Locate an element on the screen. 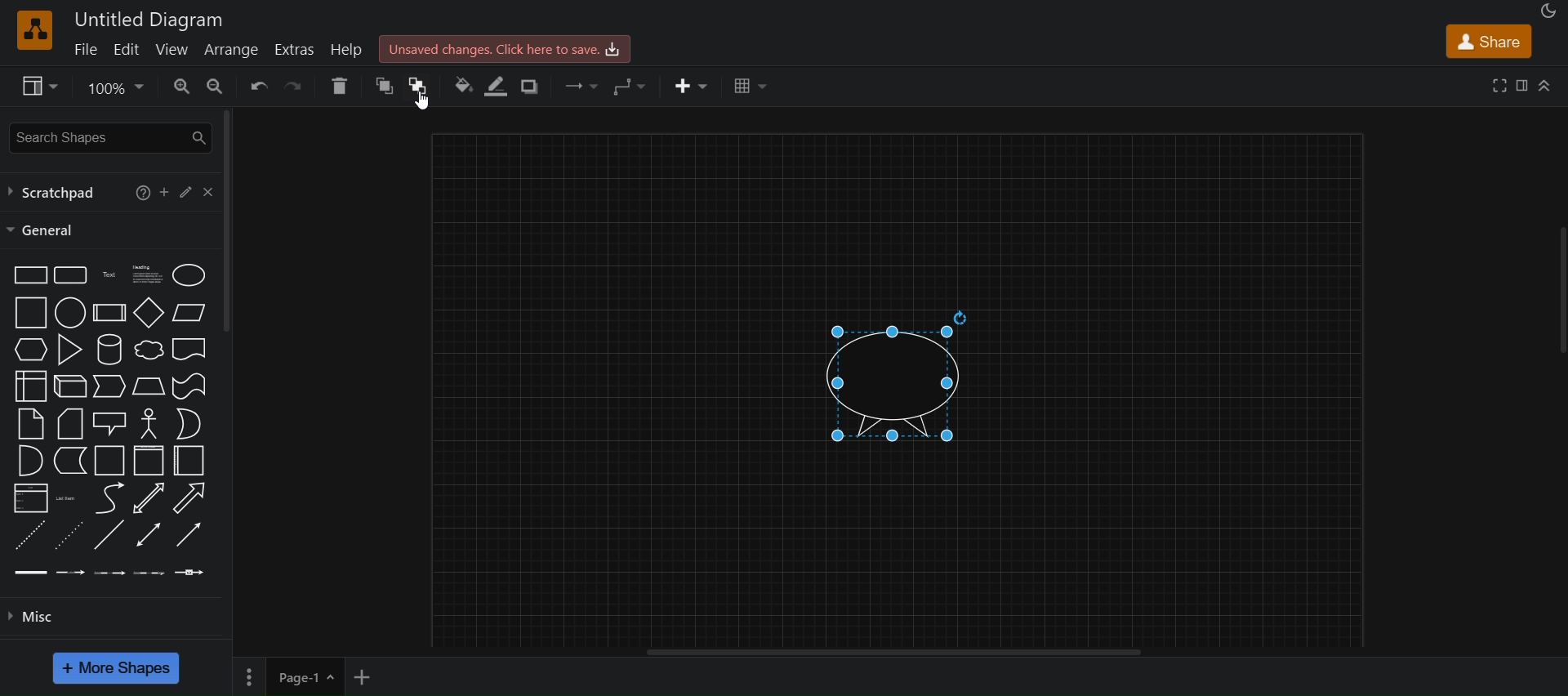  step  is located at coordinates (110, 385).